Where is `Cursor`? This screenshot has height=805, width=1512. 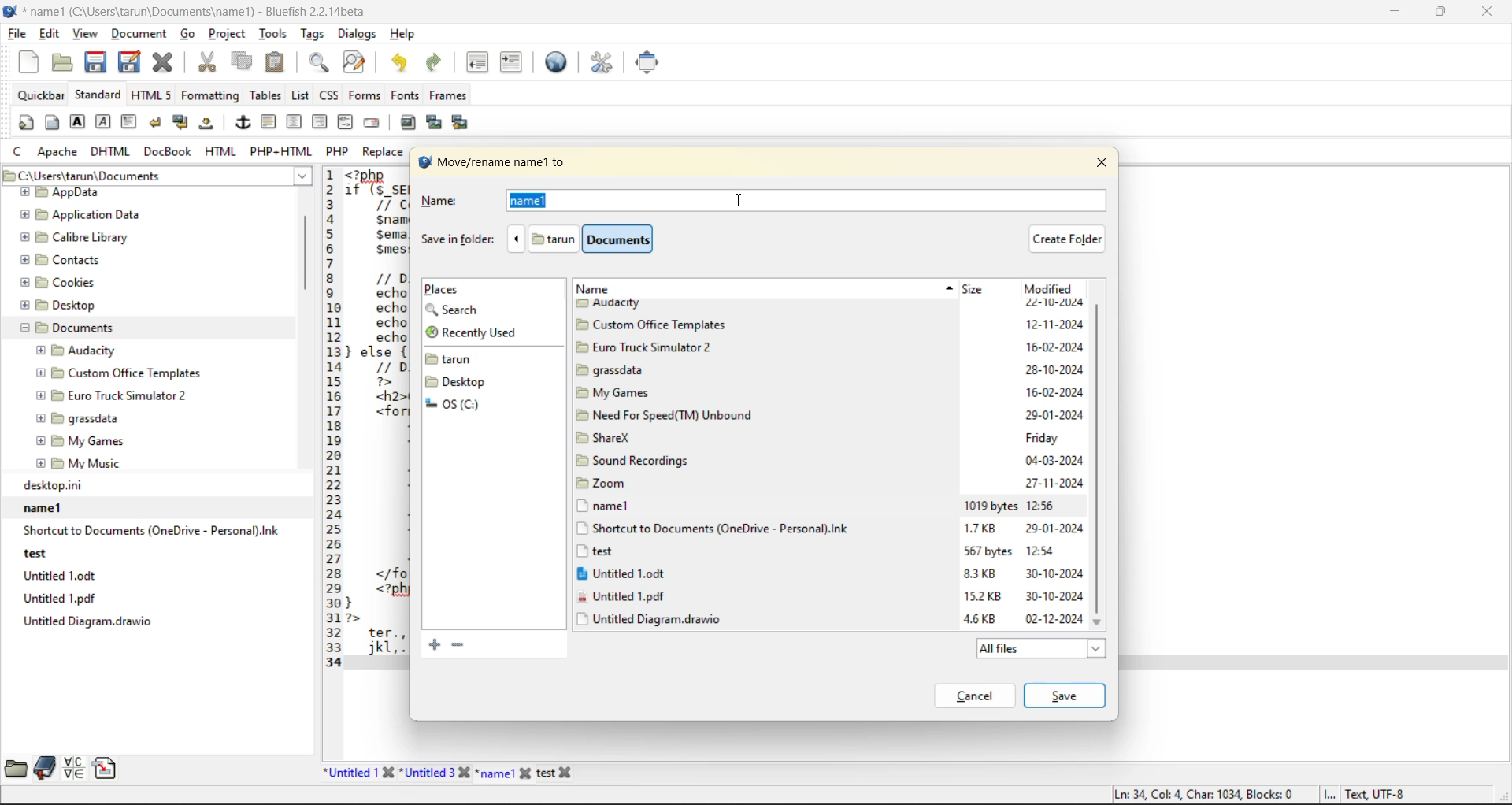 Cursor is located at coordinates (20, 47).